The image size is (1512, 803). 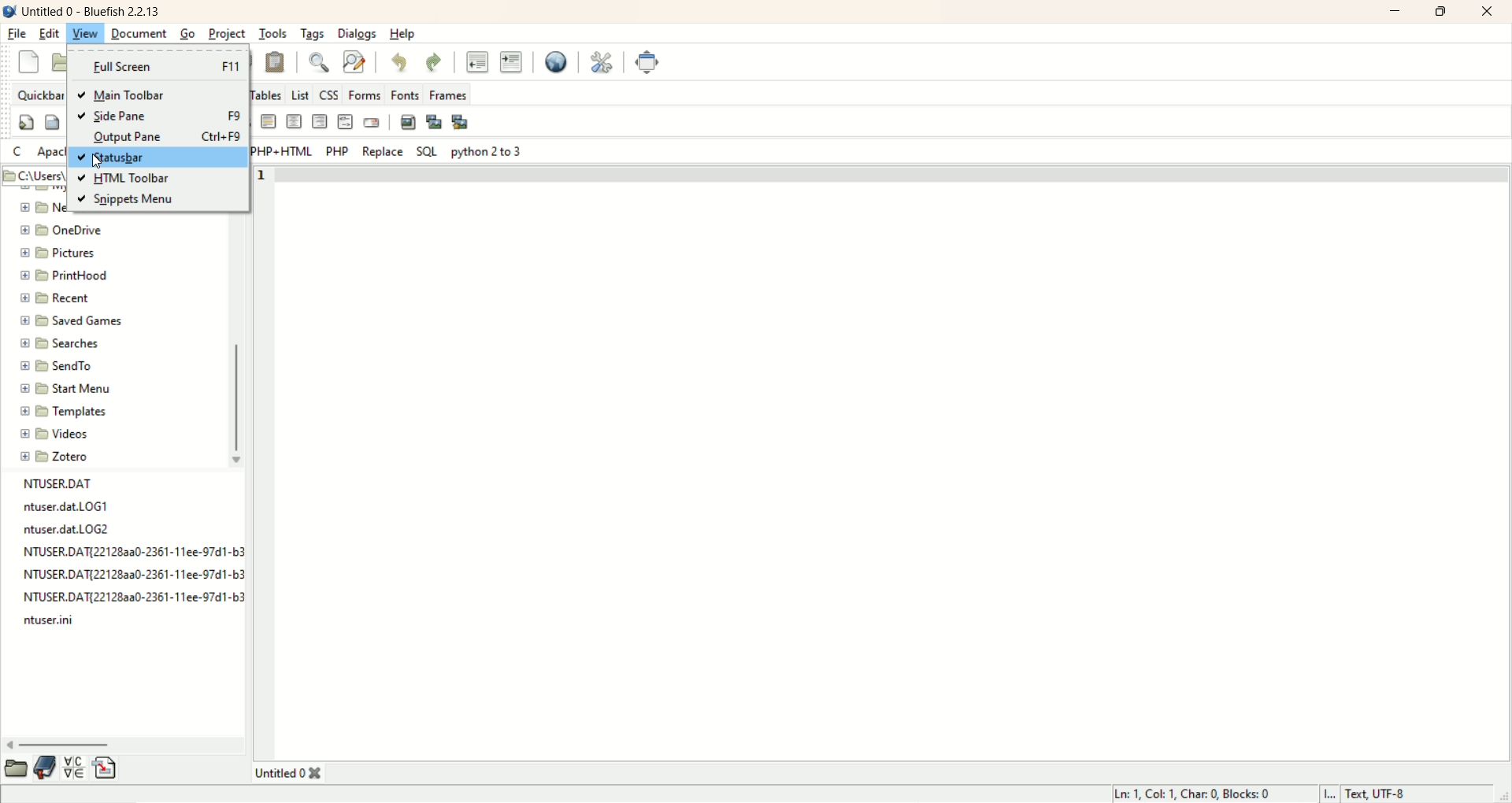 What do you see at coordinates (382, 153) in the screenshot?
I see `replace` at bounding box center [382, 153].